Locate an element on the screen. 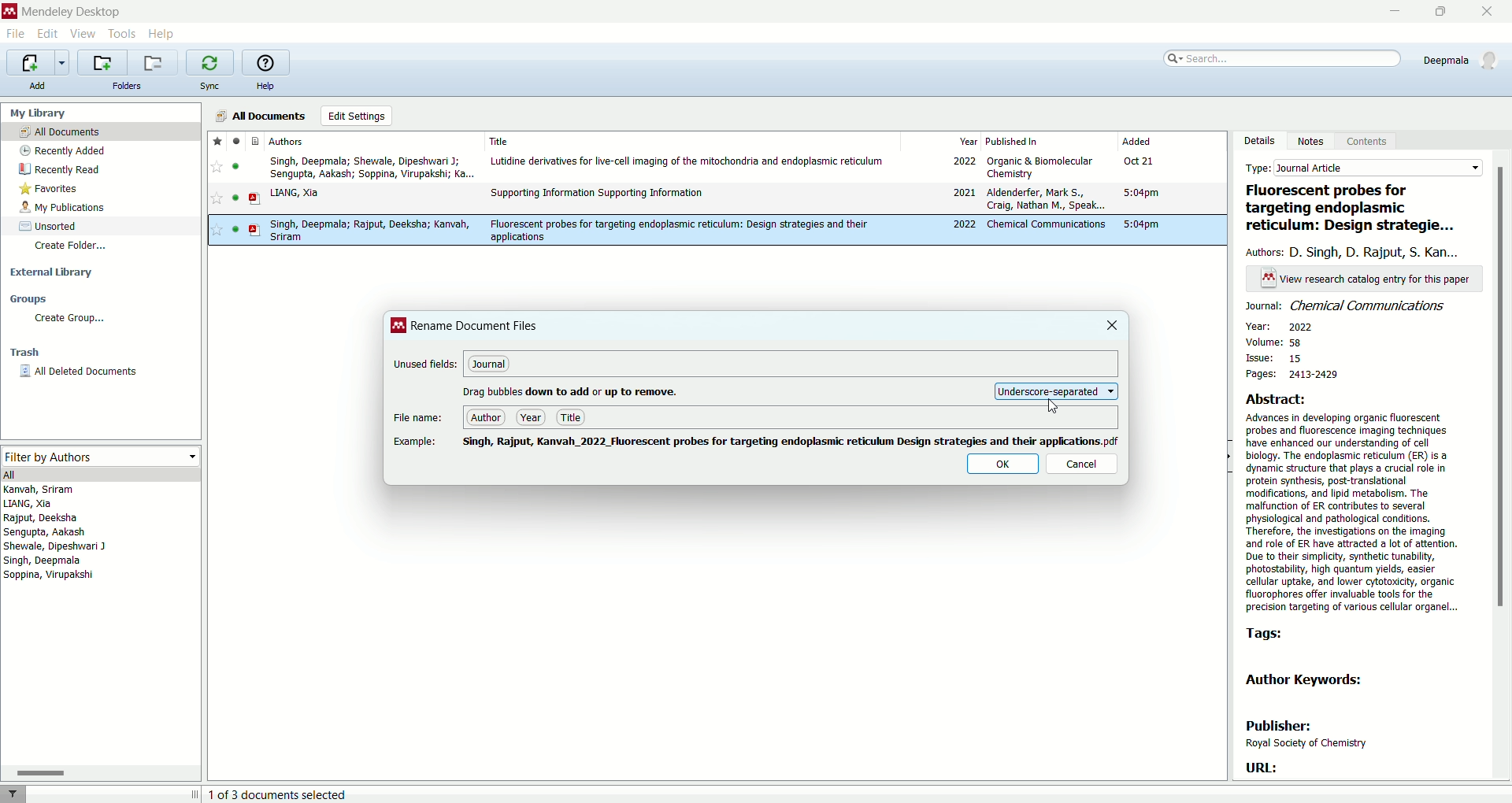 The width and height of the screenshot is (1512, 803). all is located at coordinates (101, 474).